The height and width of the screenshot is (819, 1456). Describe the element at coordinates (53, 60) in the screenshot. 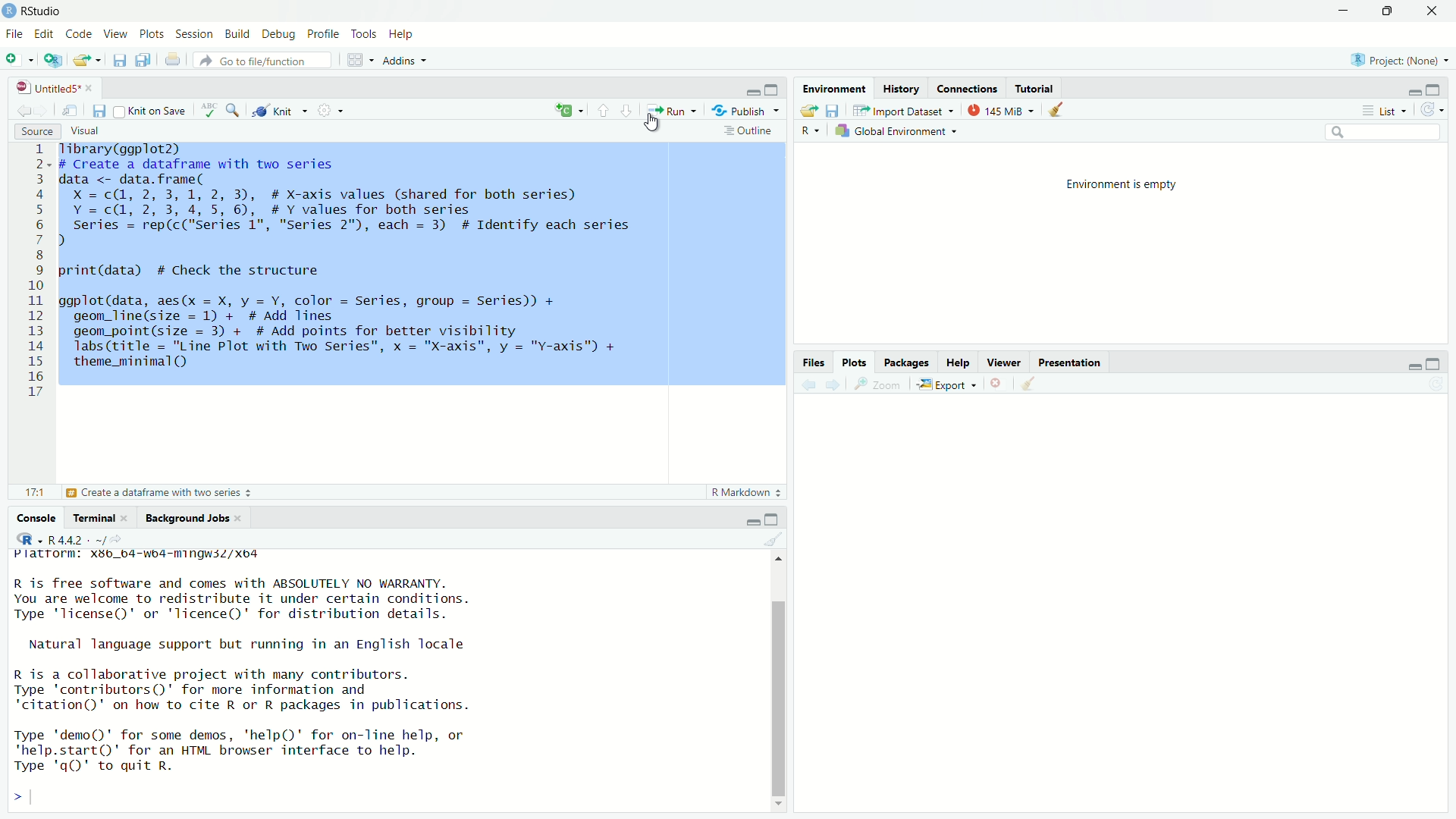

I see `Create a project` at that location.